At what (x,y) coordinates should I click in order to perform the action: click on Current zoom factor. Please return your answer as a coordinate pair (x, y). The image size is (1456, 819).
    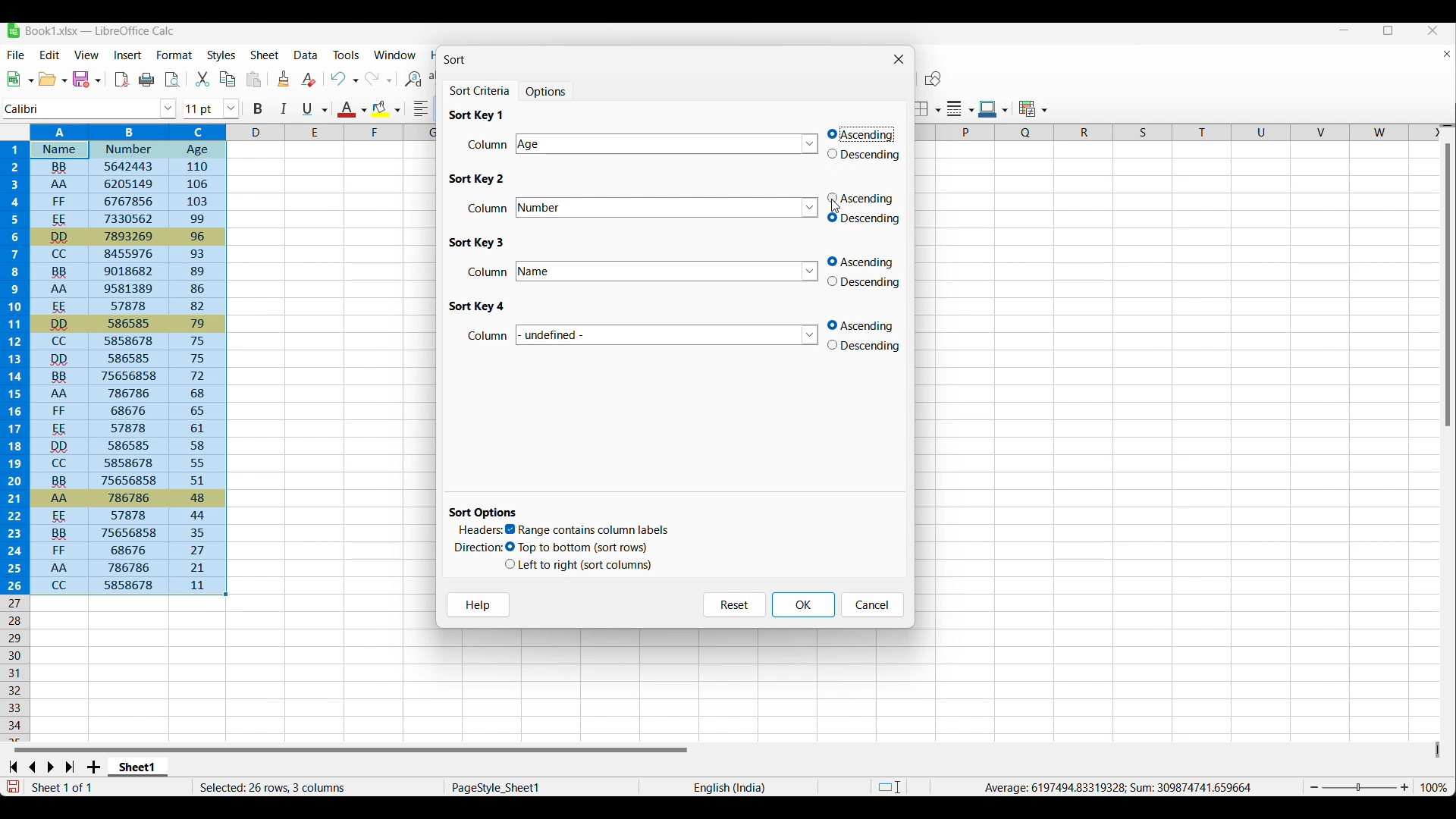
    Looking at the image, I should click on (1434, 787).